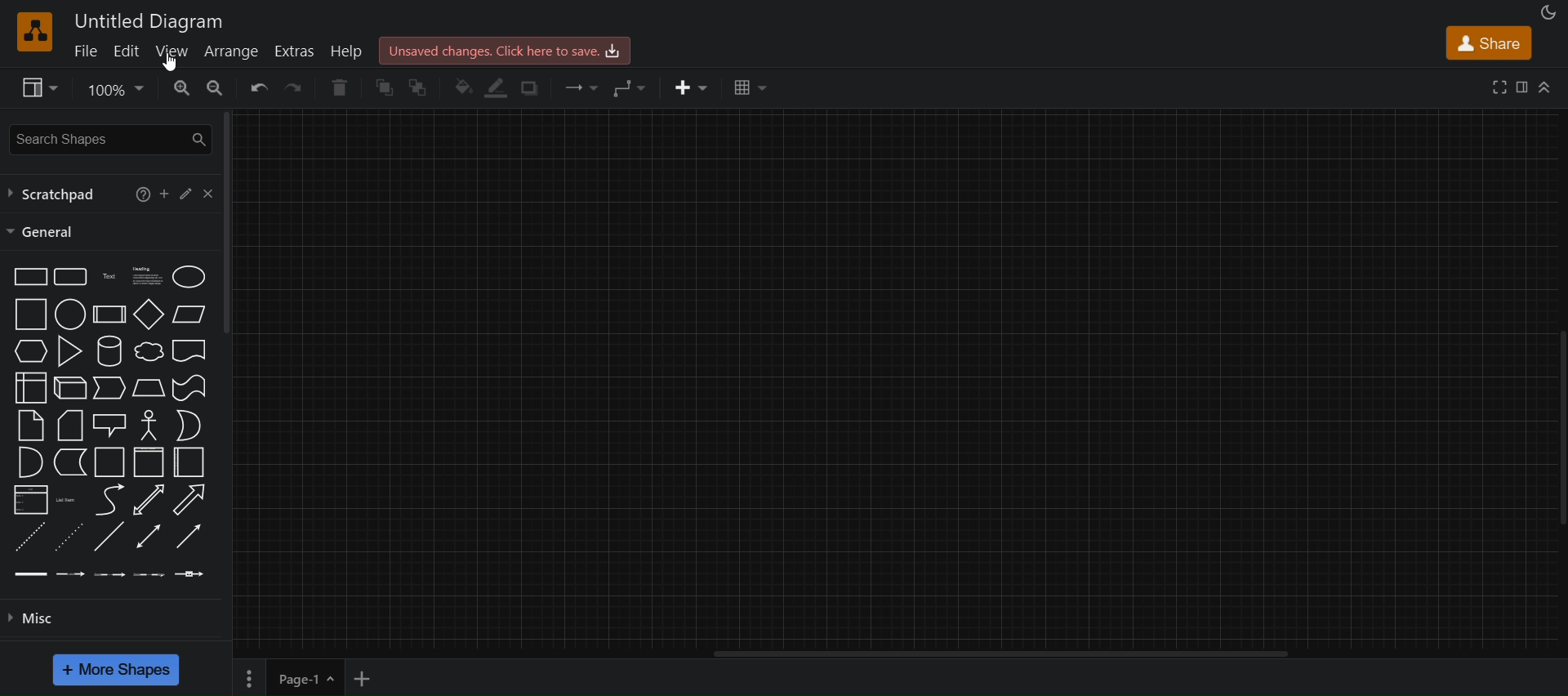 The height and width of the screenshot is (696, 1568). Describe the element at coordinates (292, 51) in the screenshot. I see `extras` at that location.